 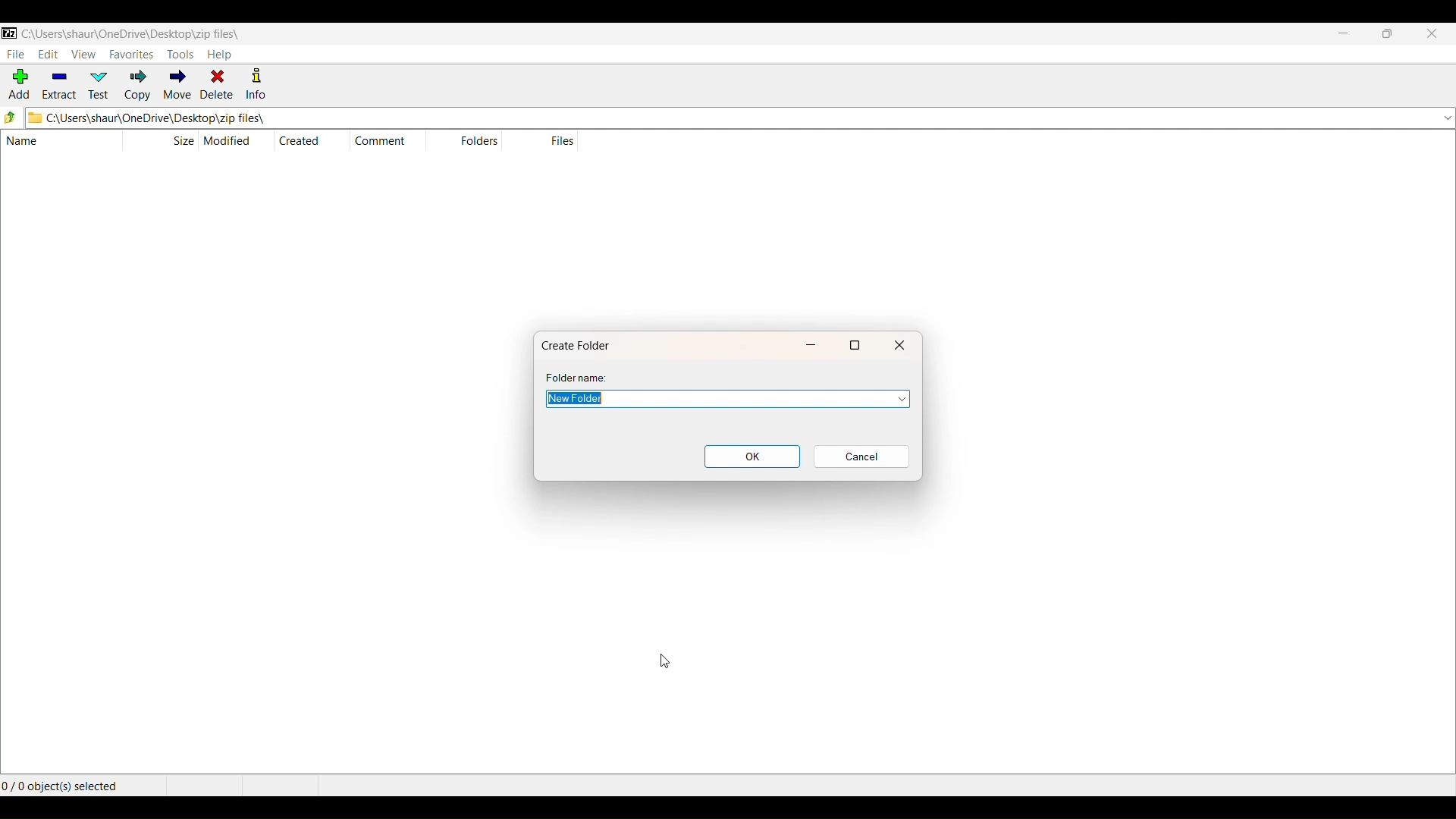 What do you see at coordinates (896, 399) in the screenshot?
I see `button to view available name for selection` at bounding box center [896, 399].